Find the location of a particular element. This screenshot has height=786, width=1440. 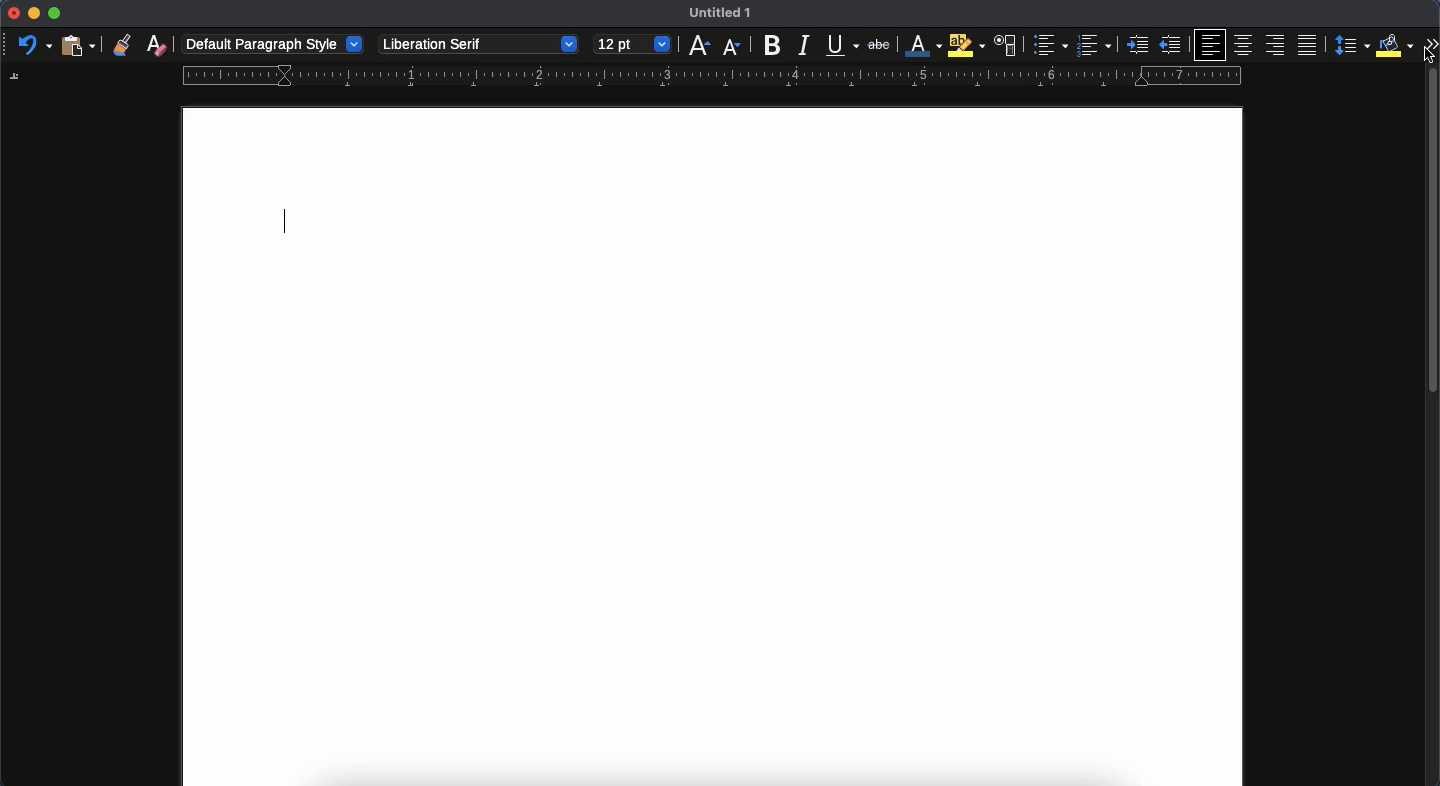

indented is located at coordinates (1136, 47).